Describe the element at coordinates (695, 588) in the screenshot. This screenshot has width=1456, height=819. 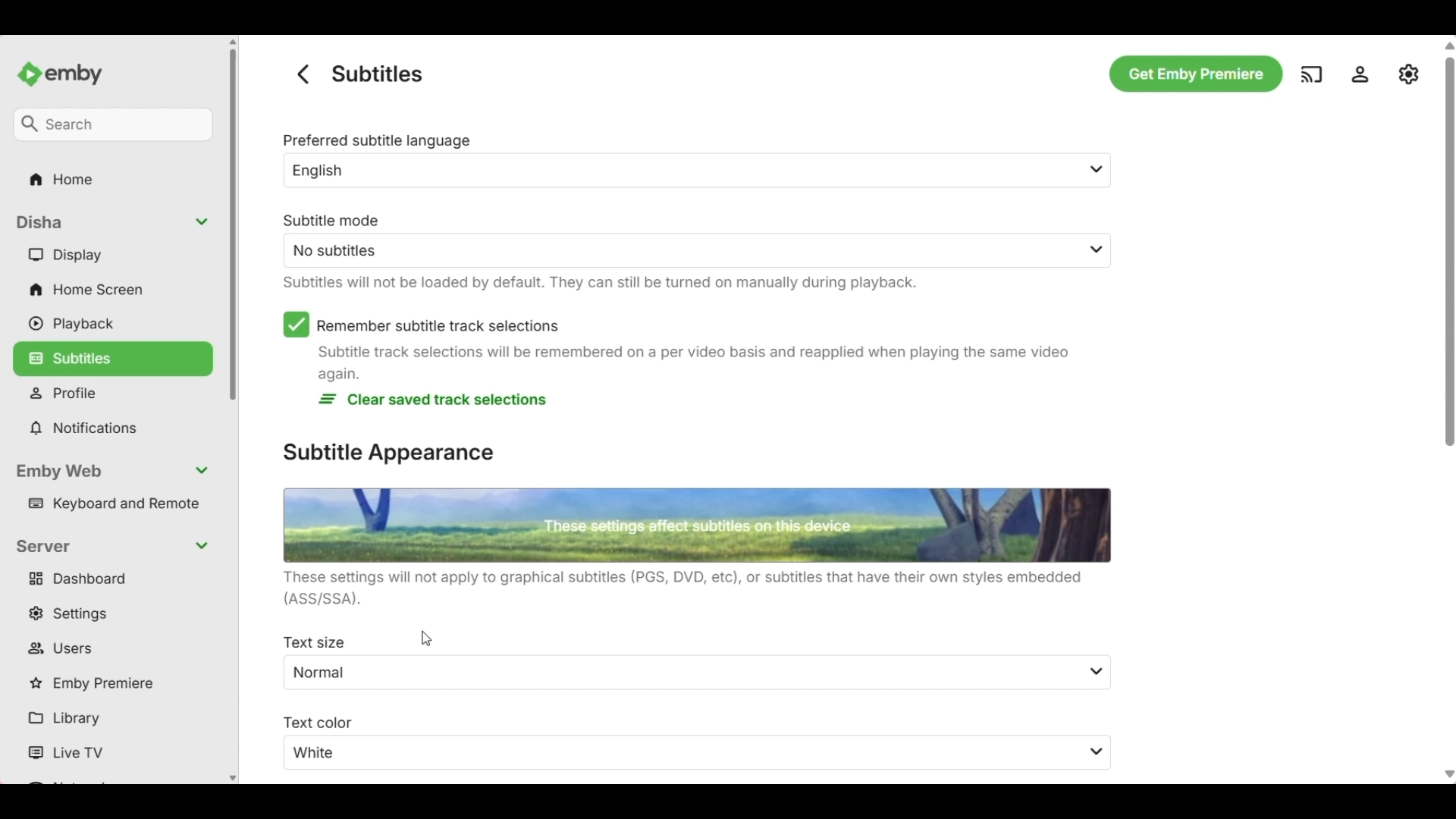
I see `Information about preview shown above` at that location.